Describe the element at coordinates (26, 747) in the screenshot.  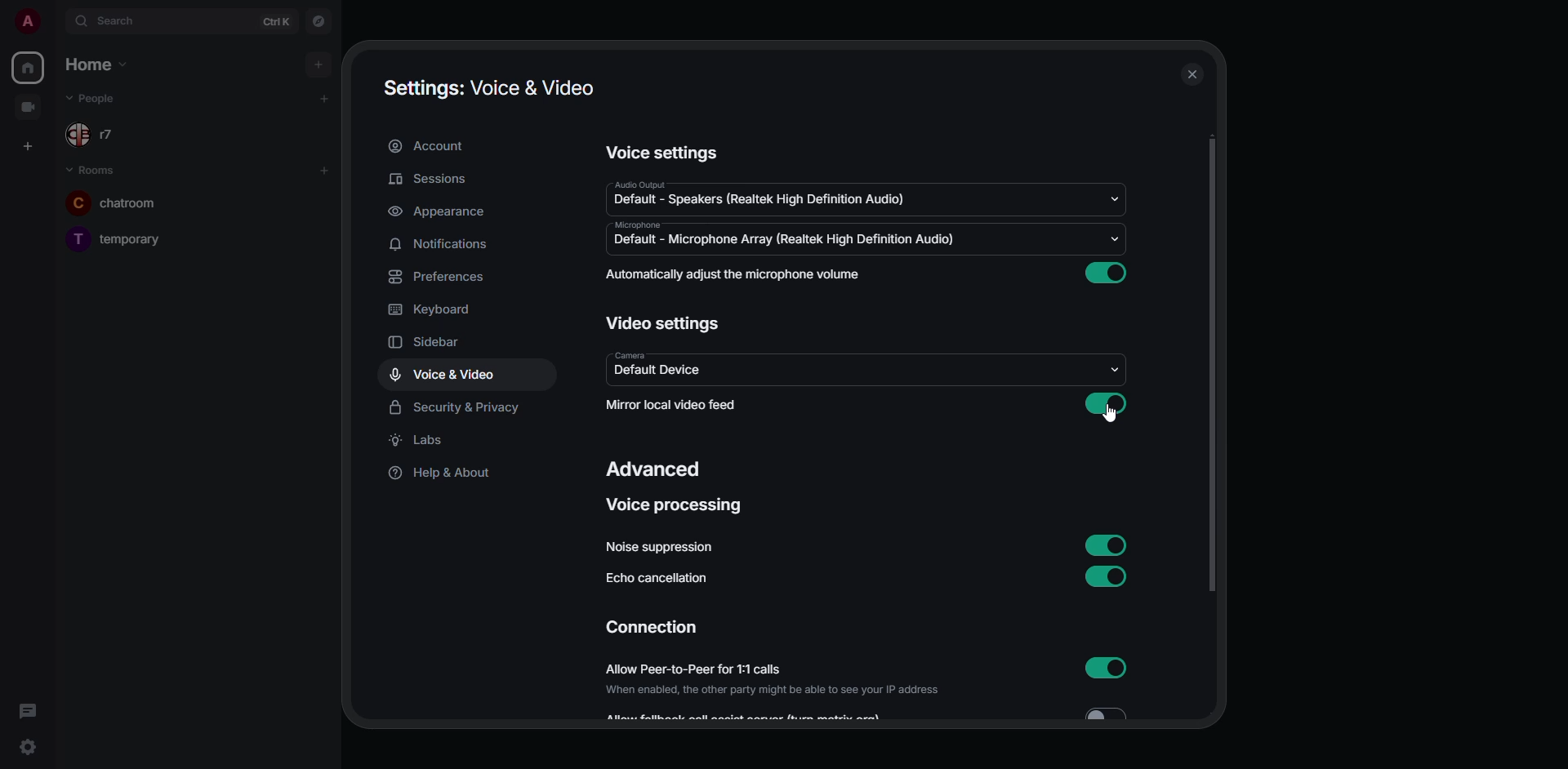
I see `quick settings` at that location.